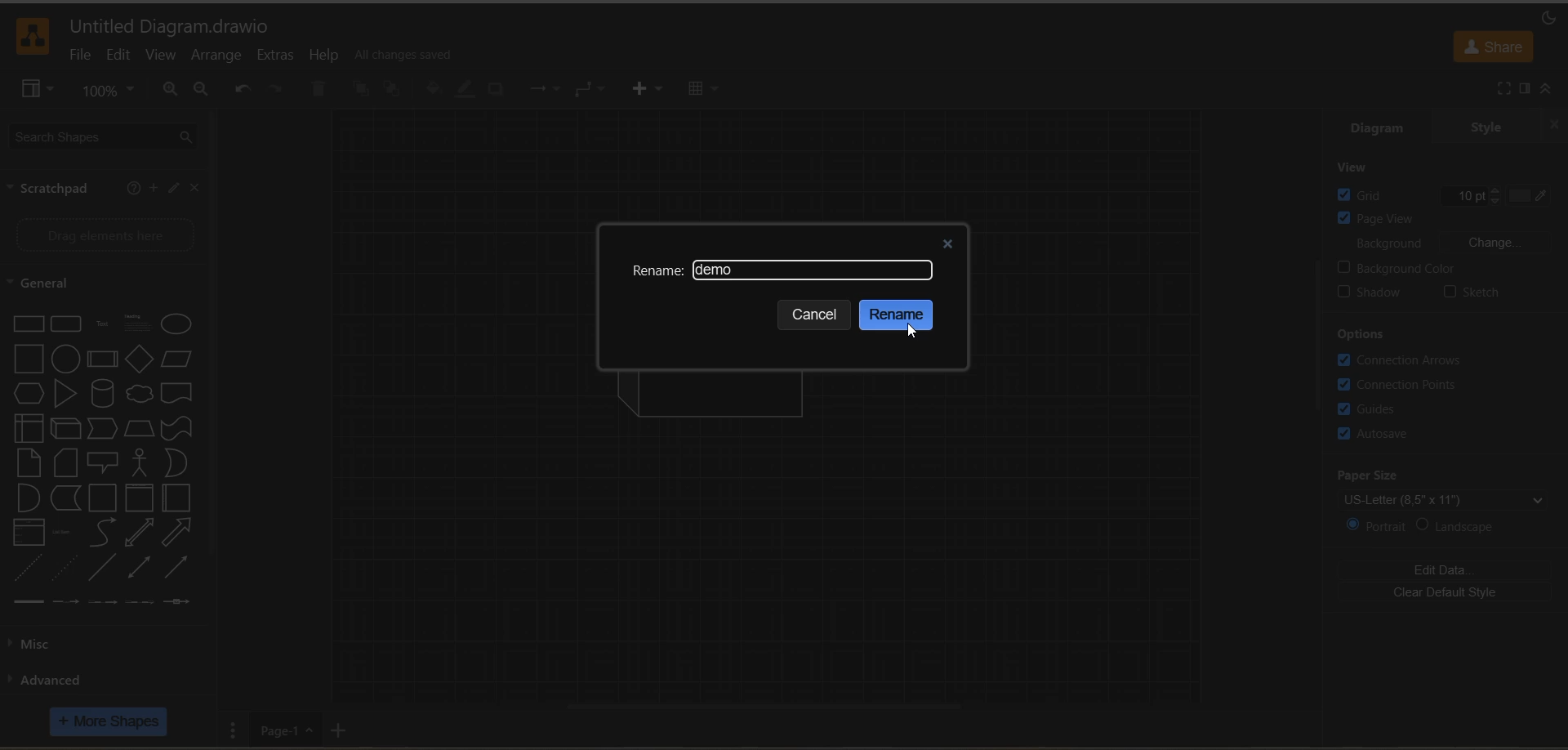  Describe the element at coordinates (1370, 194) in the screenshot. I see `grid` at that location.